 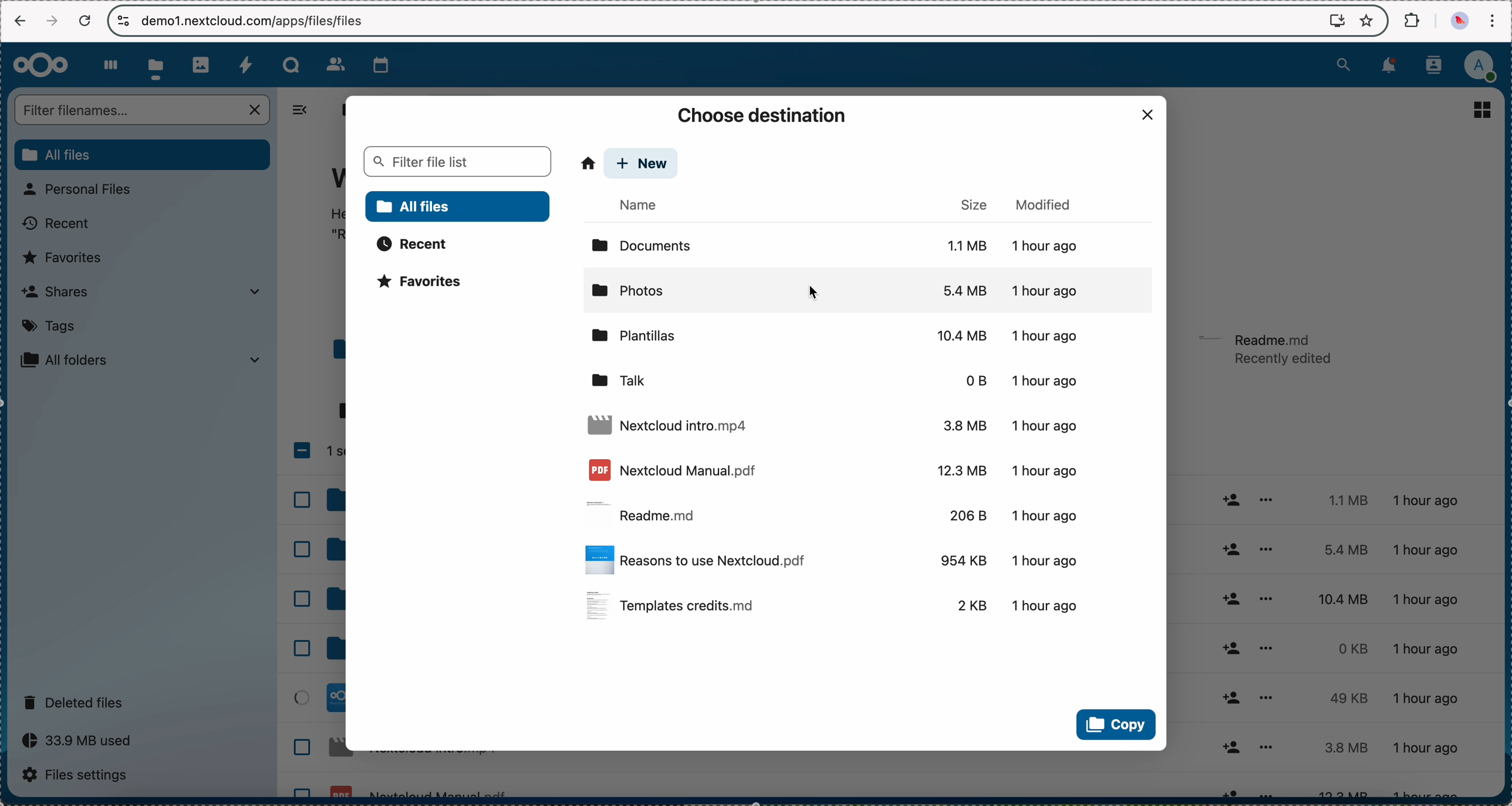 What do you see at coordinates (414, 243) in the screenshot?
I see `recent` at bounding box center [414, 243].